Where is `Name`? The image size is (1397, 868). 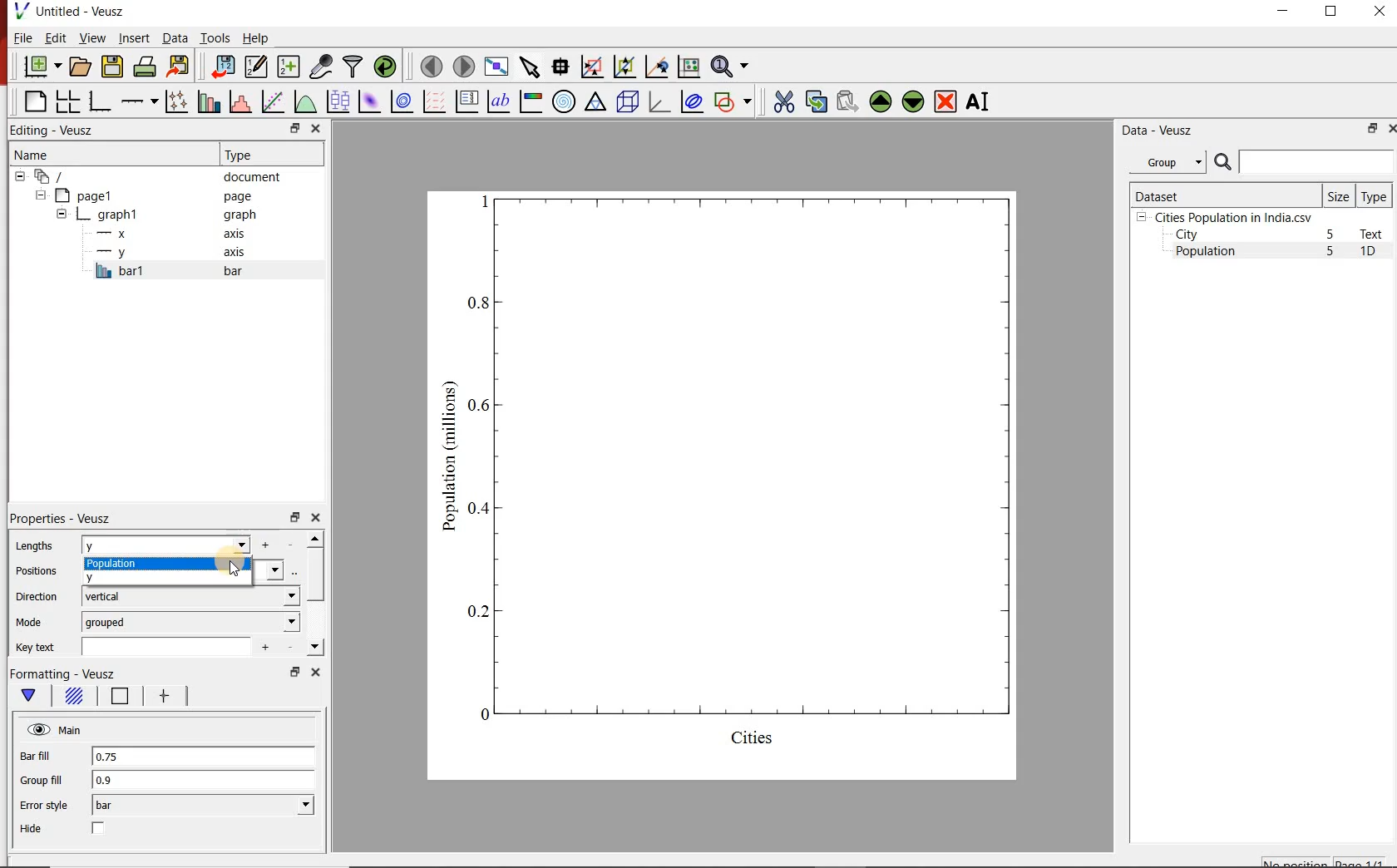 Name is located at coordinates (94, 154).